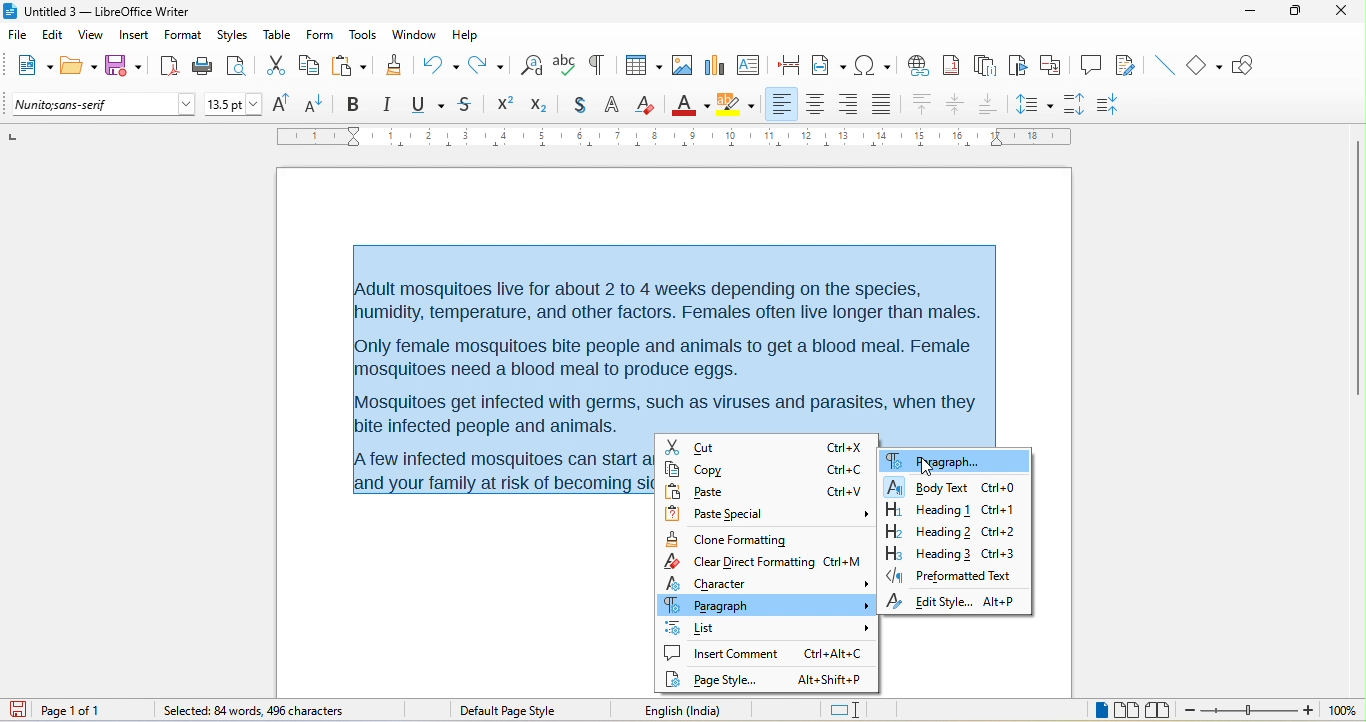 This screenshot has height=722, width=1366. What do you see at coordinates (640, 67) in the screenshot?
I see `table` at bounding box center [640, 67].